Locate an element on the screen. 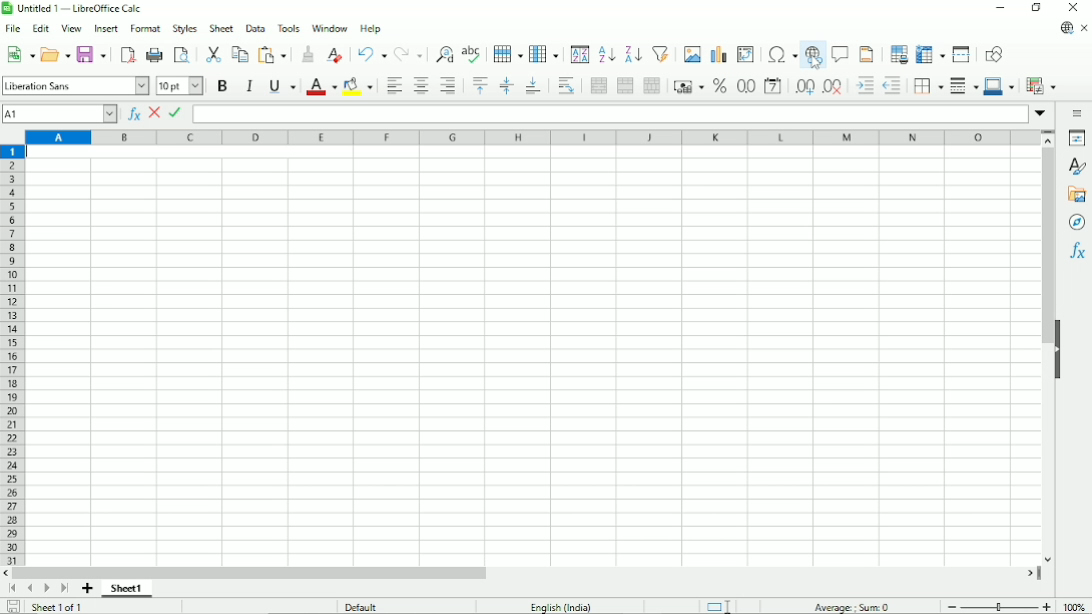 This screenshot has height=614, width=1092. Format is located at coordinates (145, 29).